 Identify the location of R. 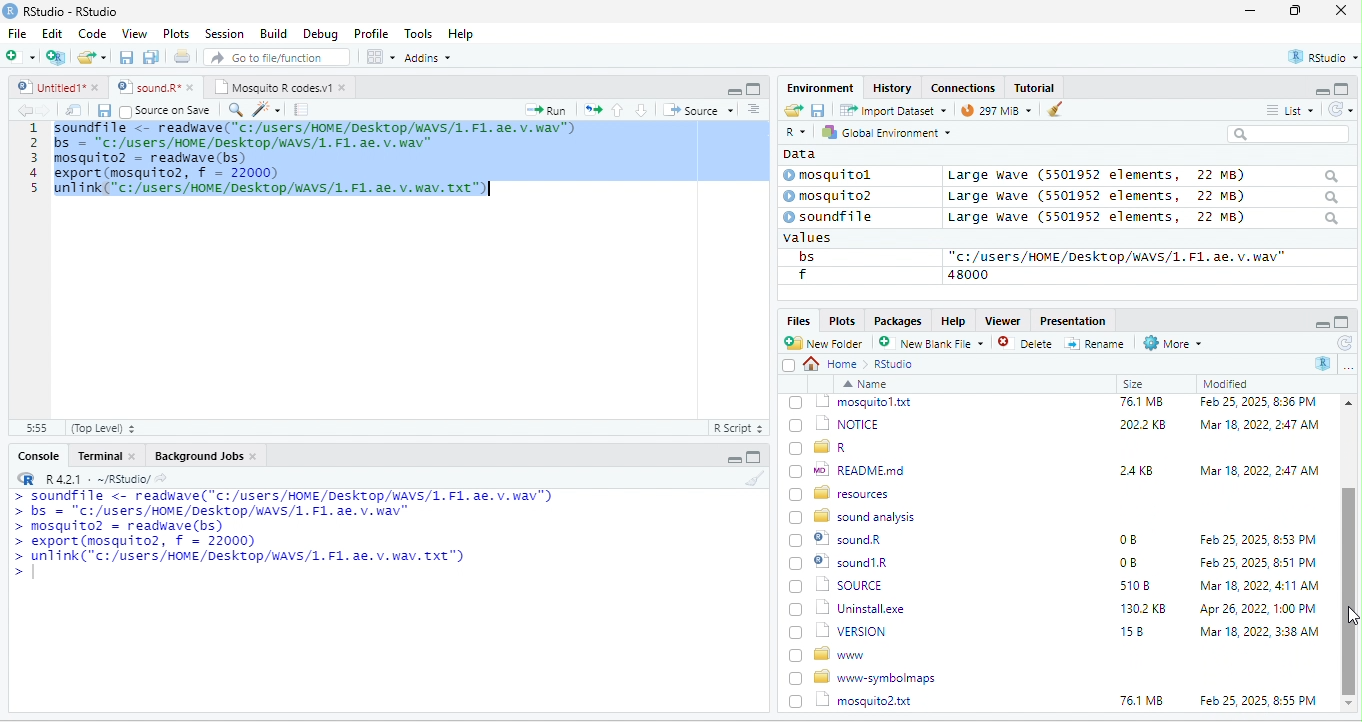
(794, 133).